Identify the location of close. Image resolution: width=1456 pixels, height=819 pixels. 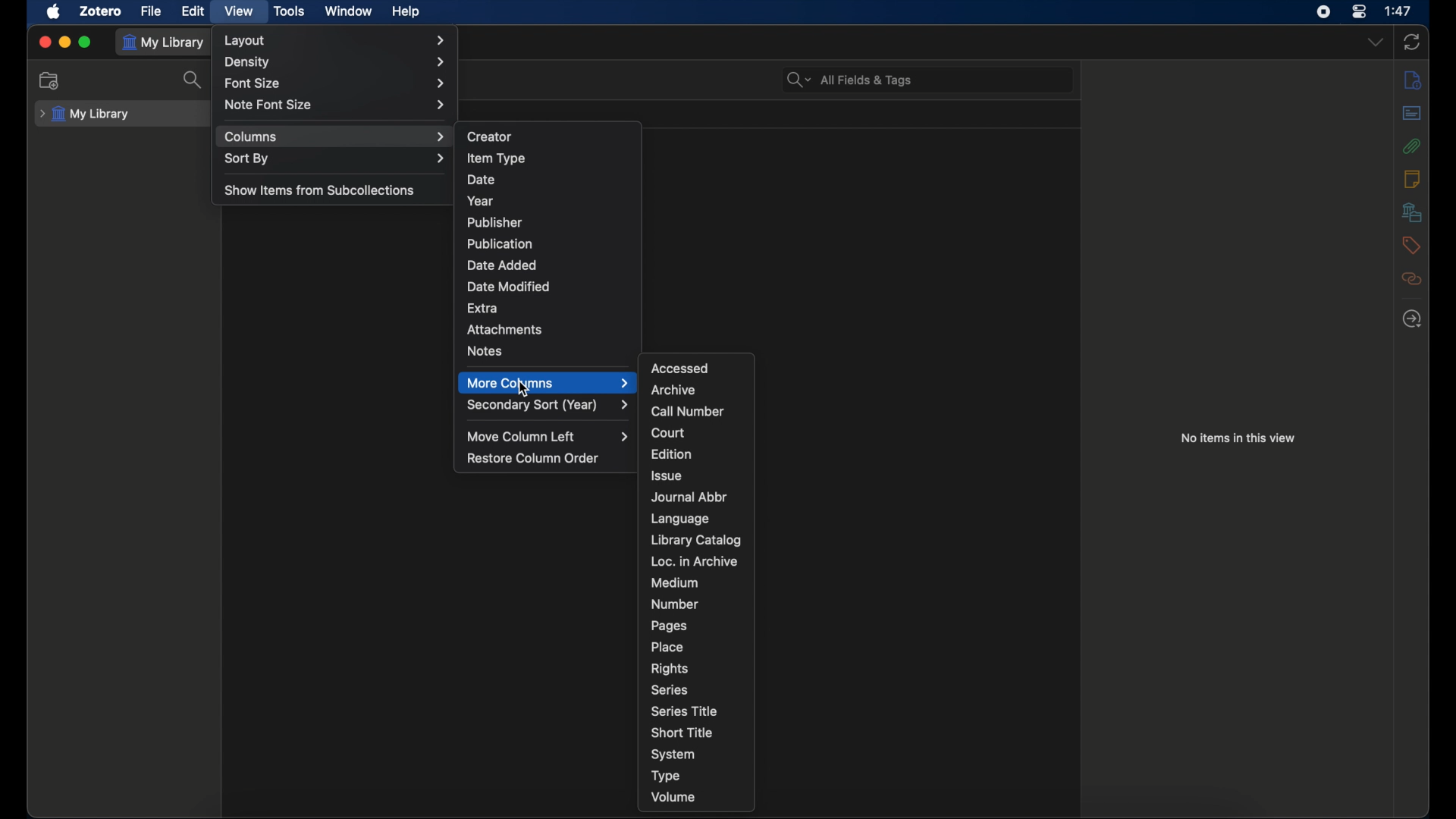
(44, 42).